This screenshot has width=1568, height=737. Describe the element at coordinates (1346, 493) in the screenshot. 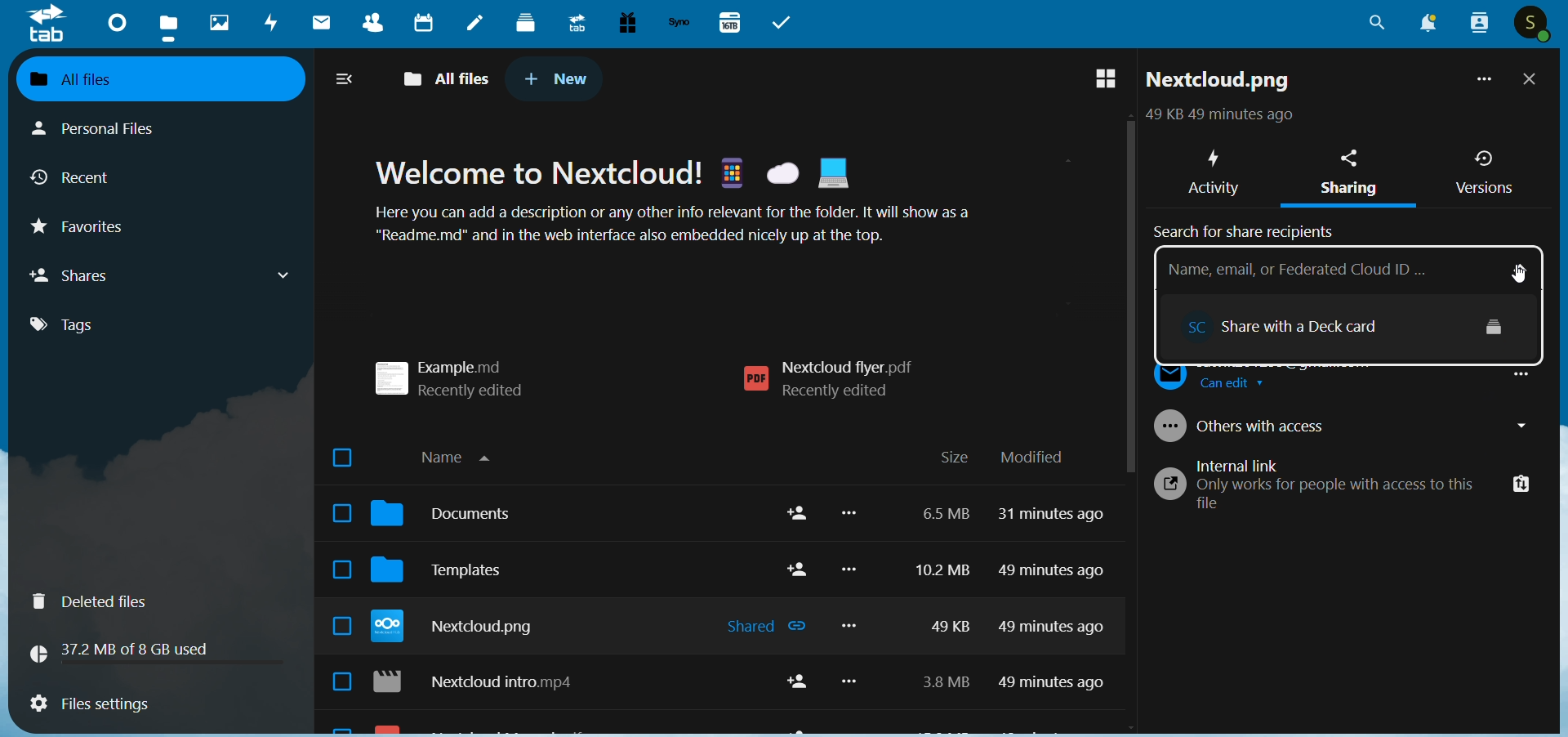

I see `internal link` at that location.